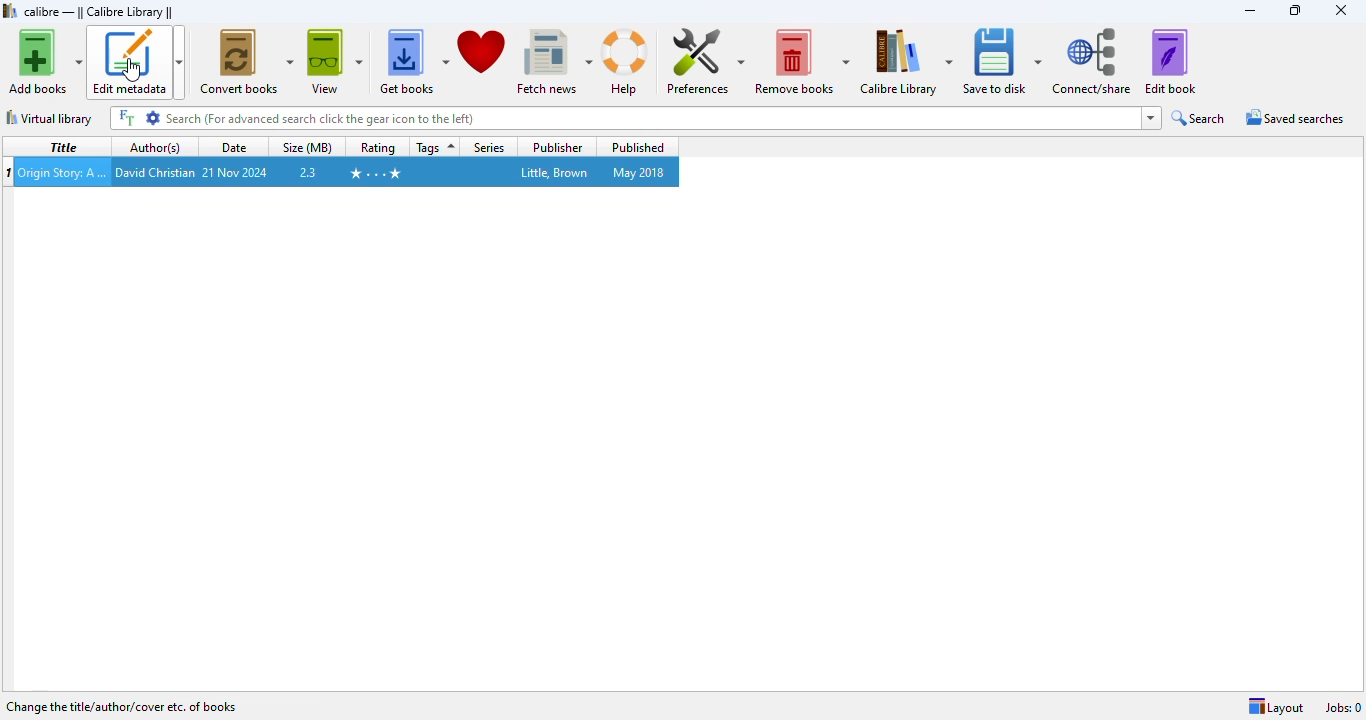 This screenshot has width=1366, height=720. Describe the element at coordinates (623, 118) in the screenshot. I see `search` at that location.